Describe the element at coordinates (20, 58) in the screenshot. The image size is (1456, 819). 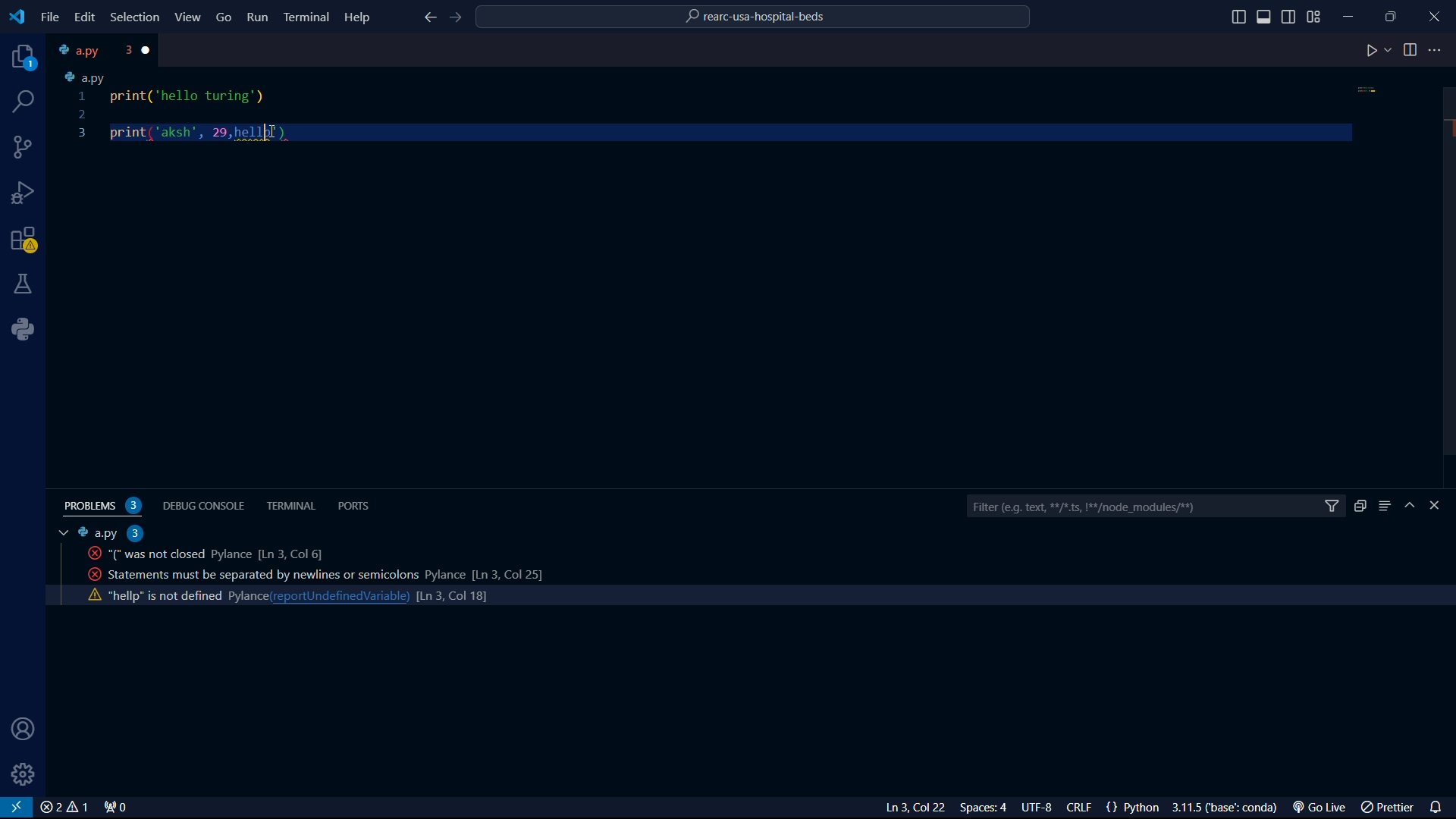
I see `projects` at that location.